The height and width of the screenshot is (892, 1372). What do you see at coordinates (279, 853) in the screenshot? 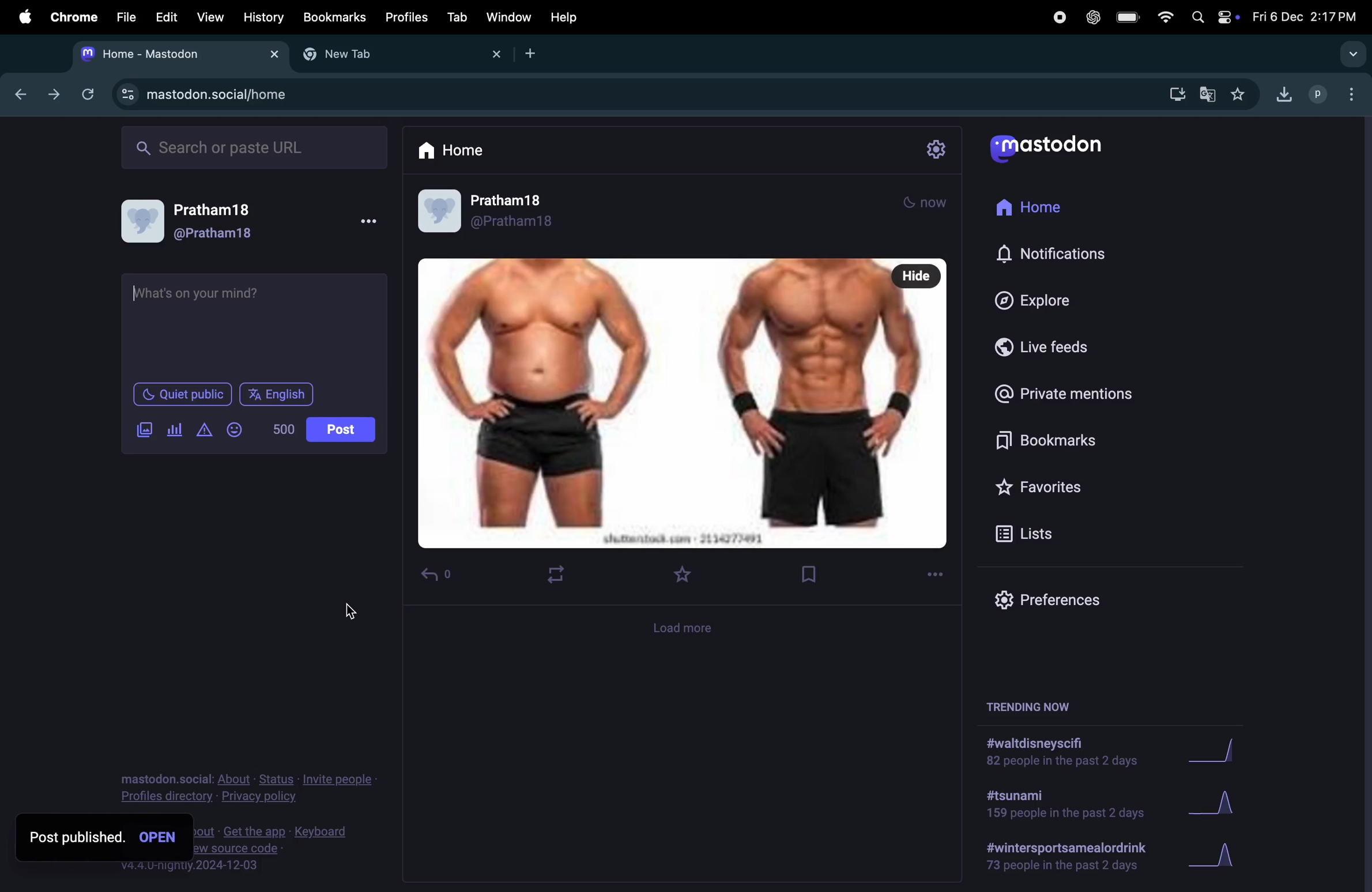
I see `view source code` at bounding box center [279, 853].